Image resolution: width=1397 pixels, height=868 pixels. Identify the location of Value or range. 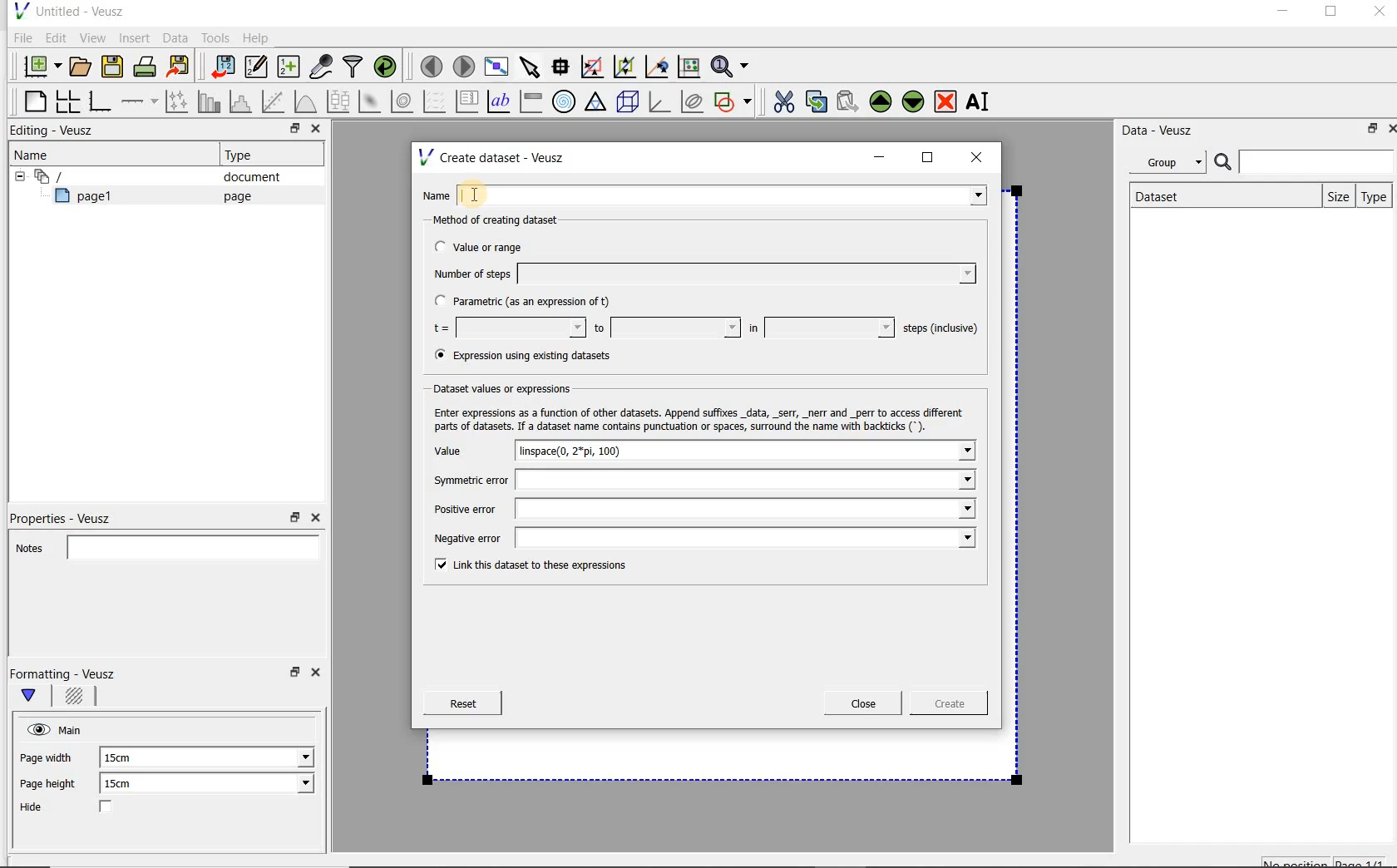
(493, 244).